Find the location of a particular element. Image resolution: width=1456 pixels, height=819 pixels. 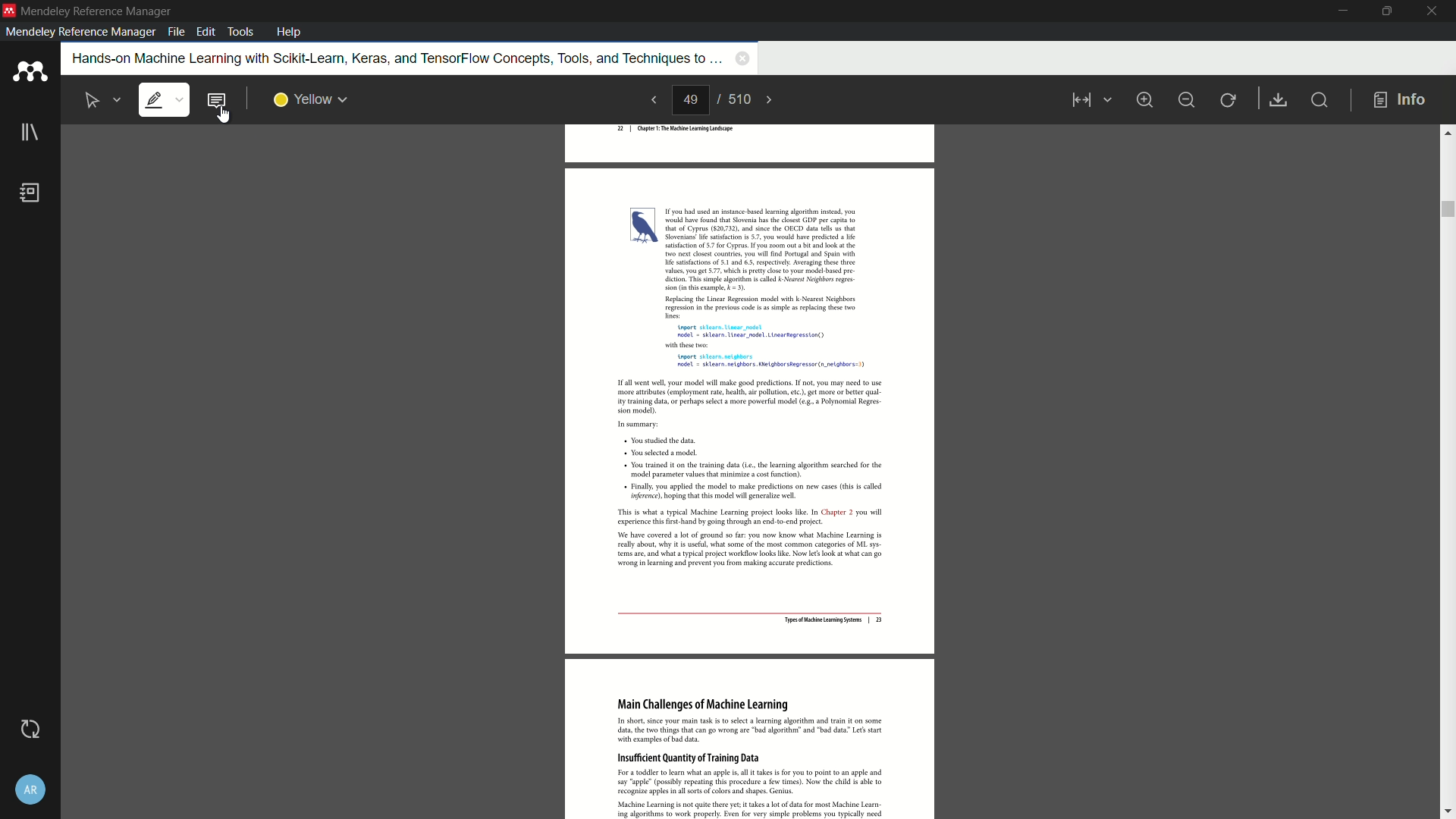

refresh is located at coordinates (1229, 99).